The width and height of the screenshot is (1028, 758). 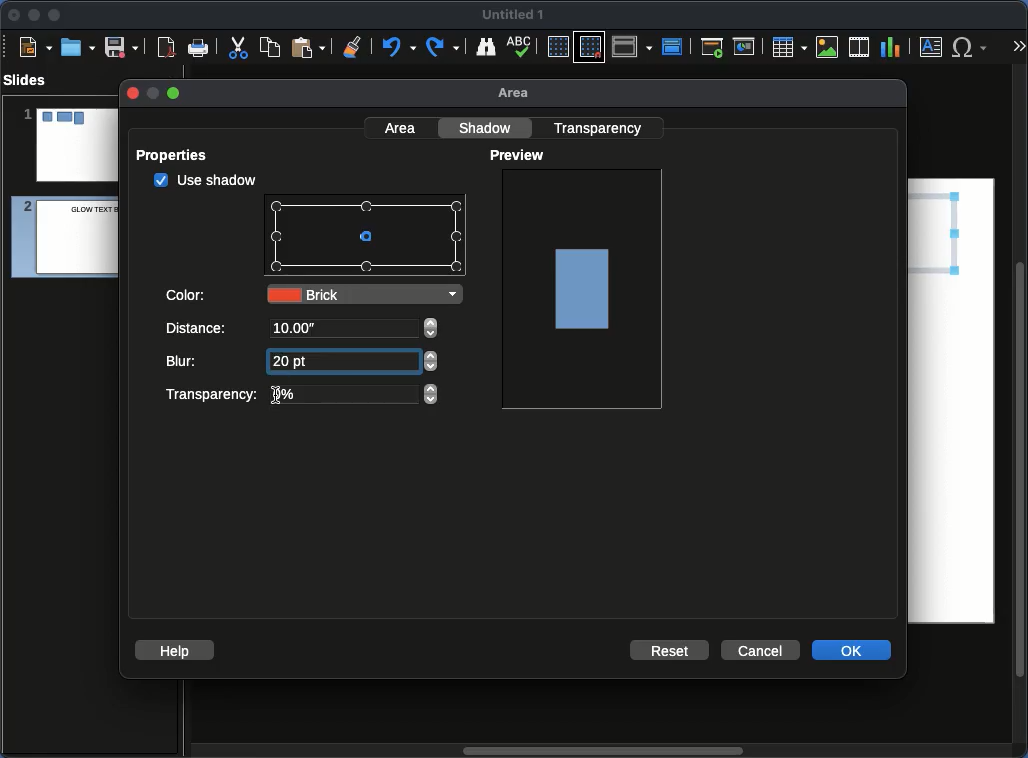 I want to click on Clear formatting, so click(x=353, y=45).